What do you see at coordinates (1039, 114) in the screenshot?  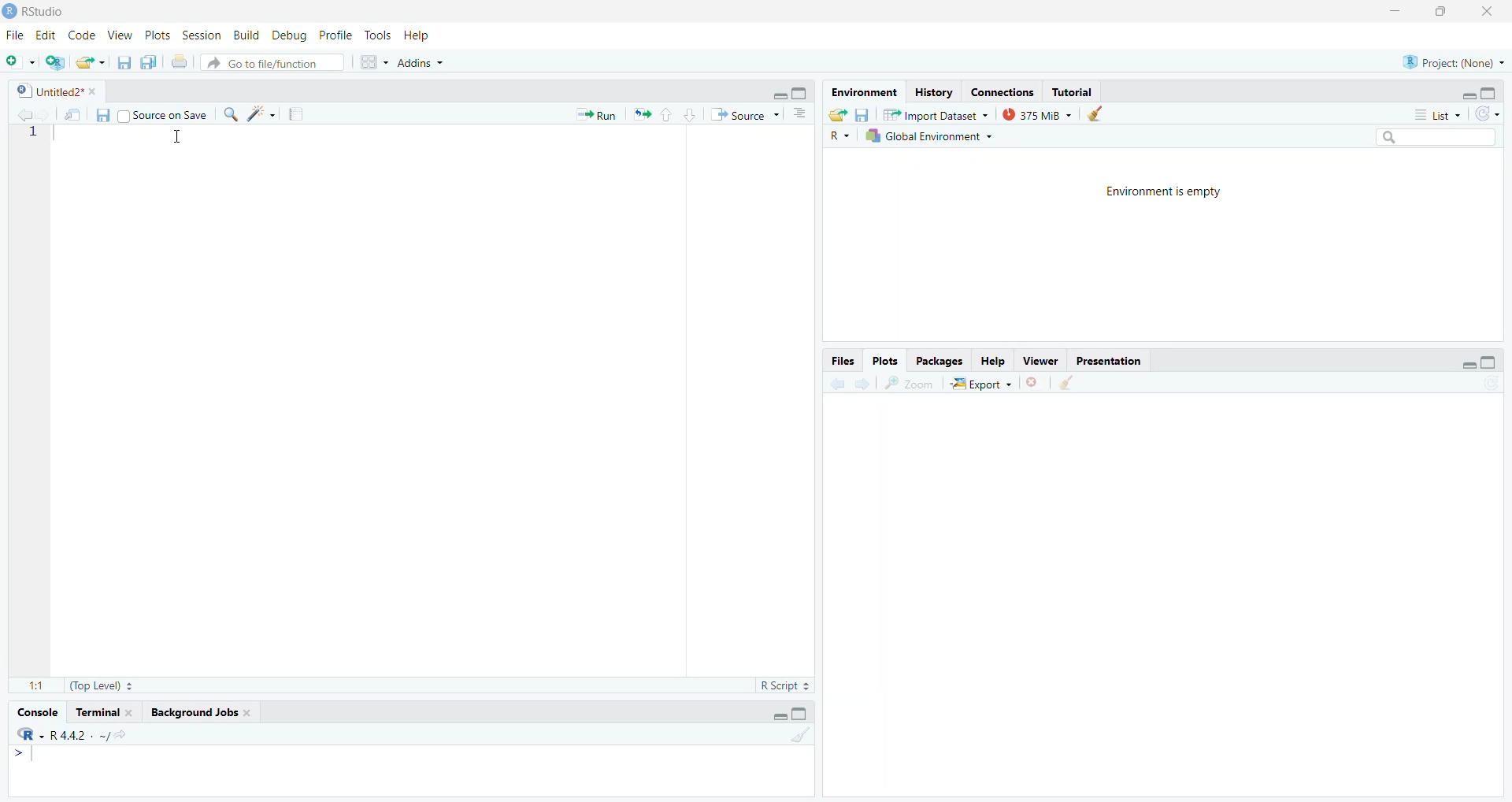 I see `375MiB ~` at bounding box center [1039, 114].